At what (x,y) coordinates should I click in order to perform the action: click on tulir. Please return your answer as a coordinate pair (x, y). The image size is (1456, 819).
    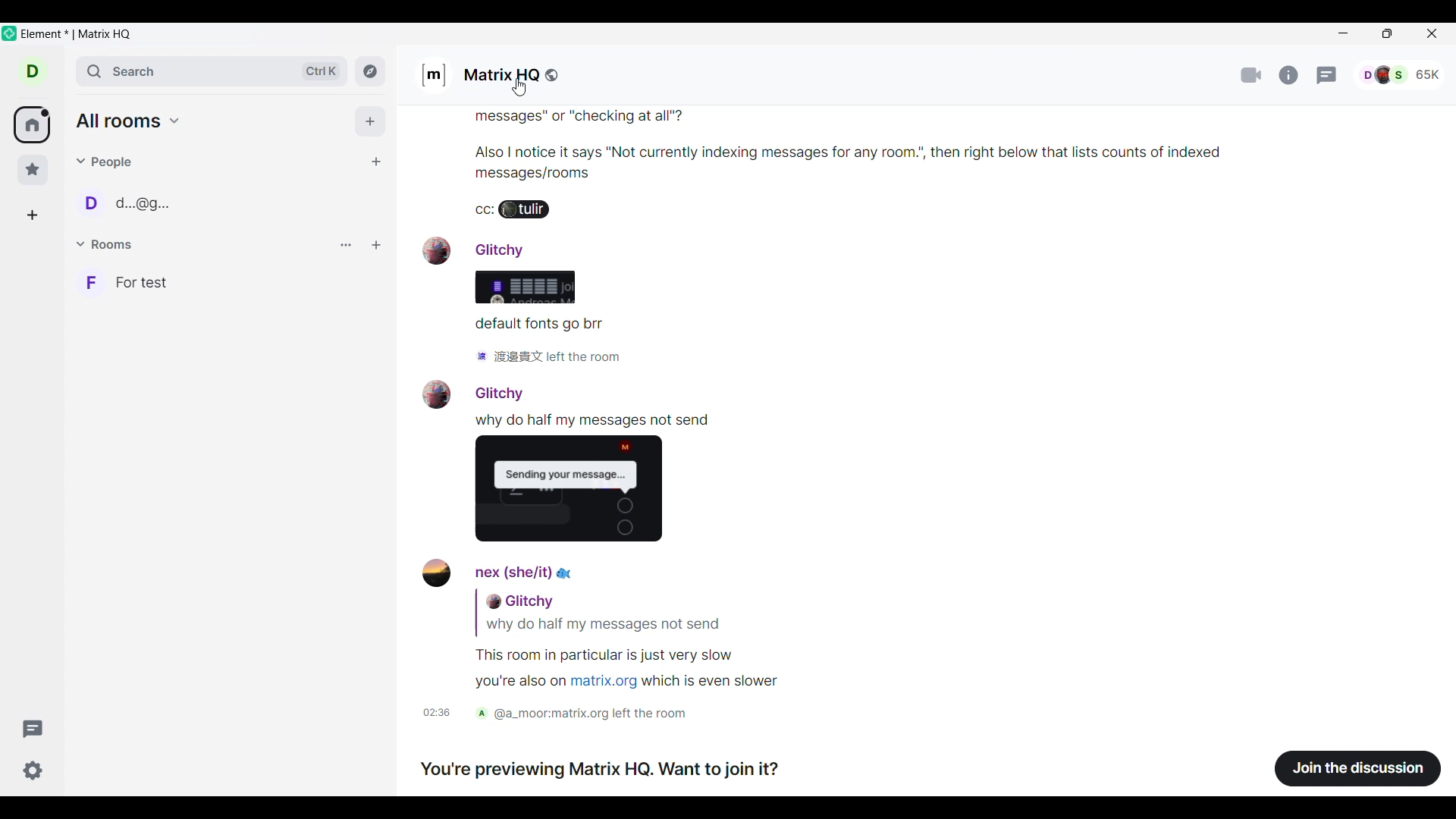
    Looking at the image, I should click on (531, 212).